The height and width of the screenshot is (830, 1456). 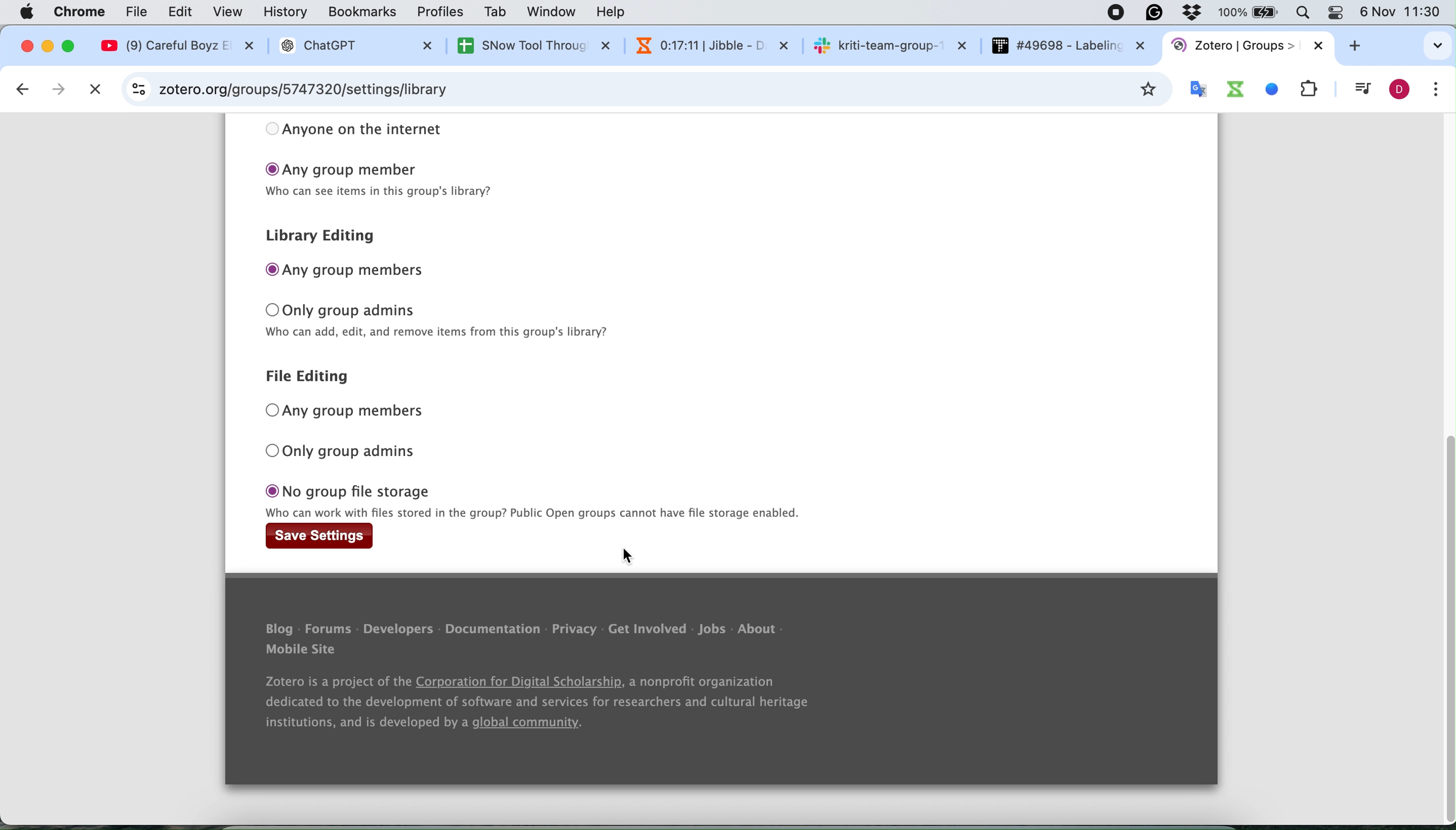 What do you see at coordinates (703, 44) in the screenshot?
I see `N 0:16:54 | Jibble - 1 x` at bounding box center [703, 44].